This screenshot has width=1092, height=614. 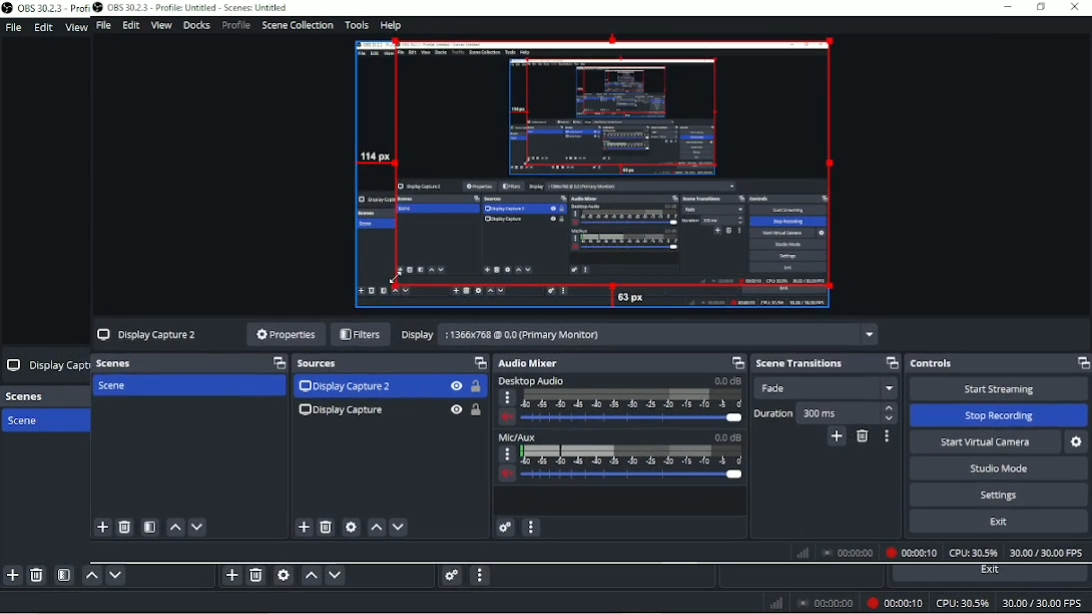 I want to click on Recording 00:00:10, so click(x=894, y=604).